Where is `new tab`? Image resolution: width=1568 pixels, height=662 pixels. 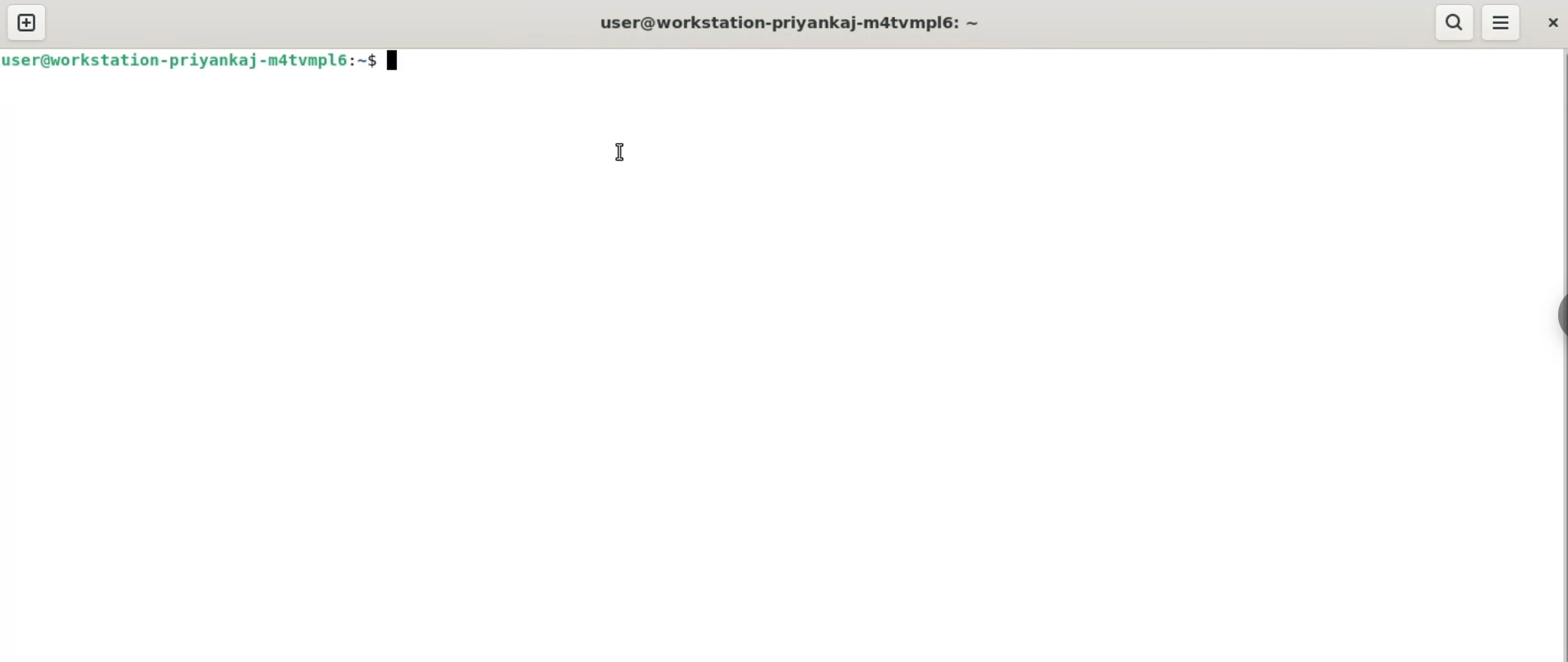
new tab is located at coordinates (29, 23).